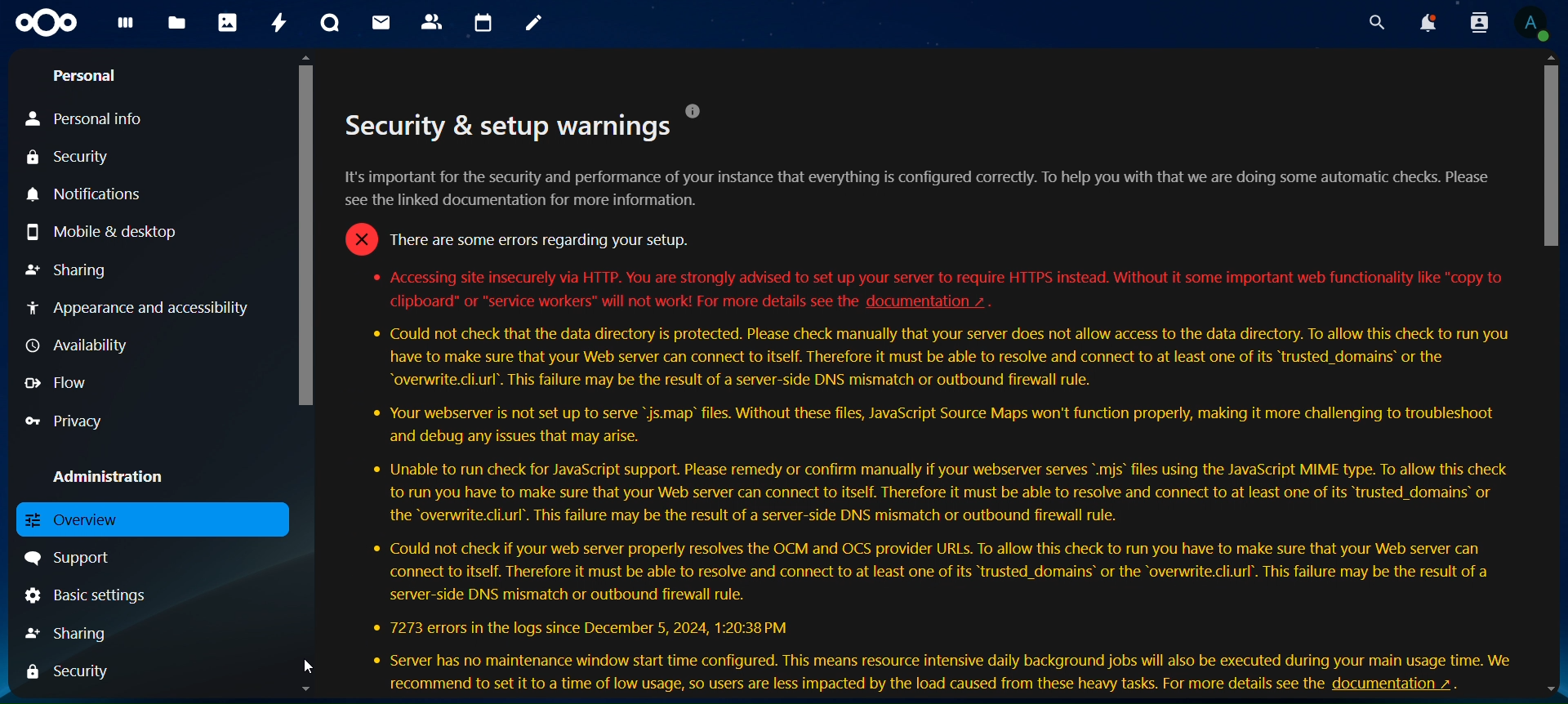 This screenshot has width=1568, height=704. I want to click on files, so click(176, 24).